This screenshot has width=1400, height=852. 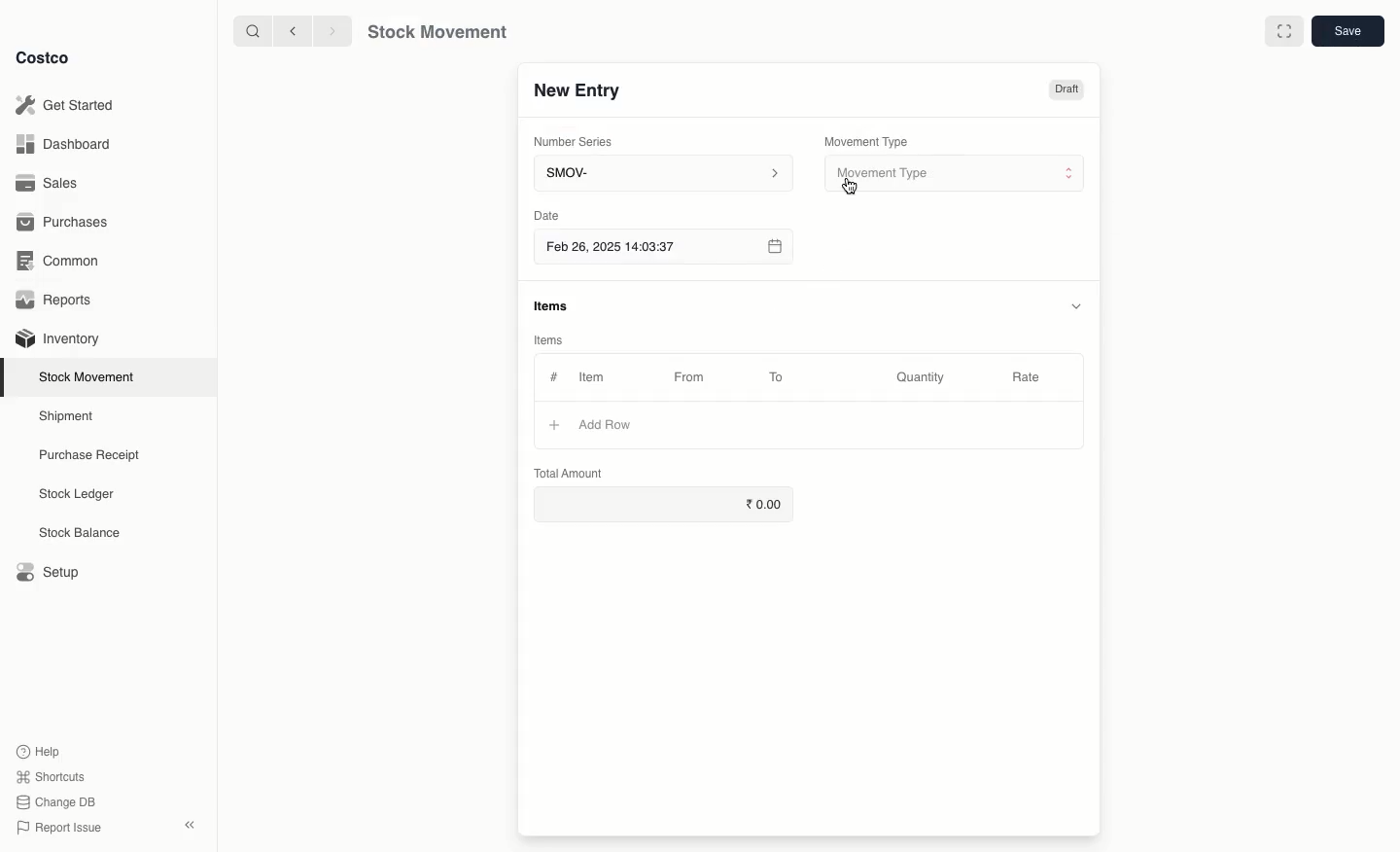 I want to click on From, so click(x=696, y=380).